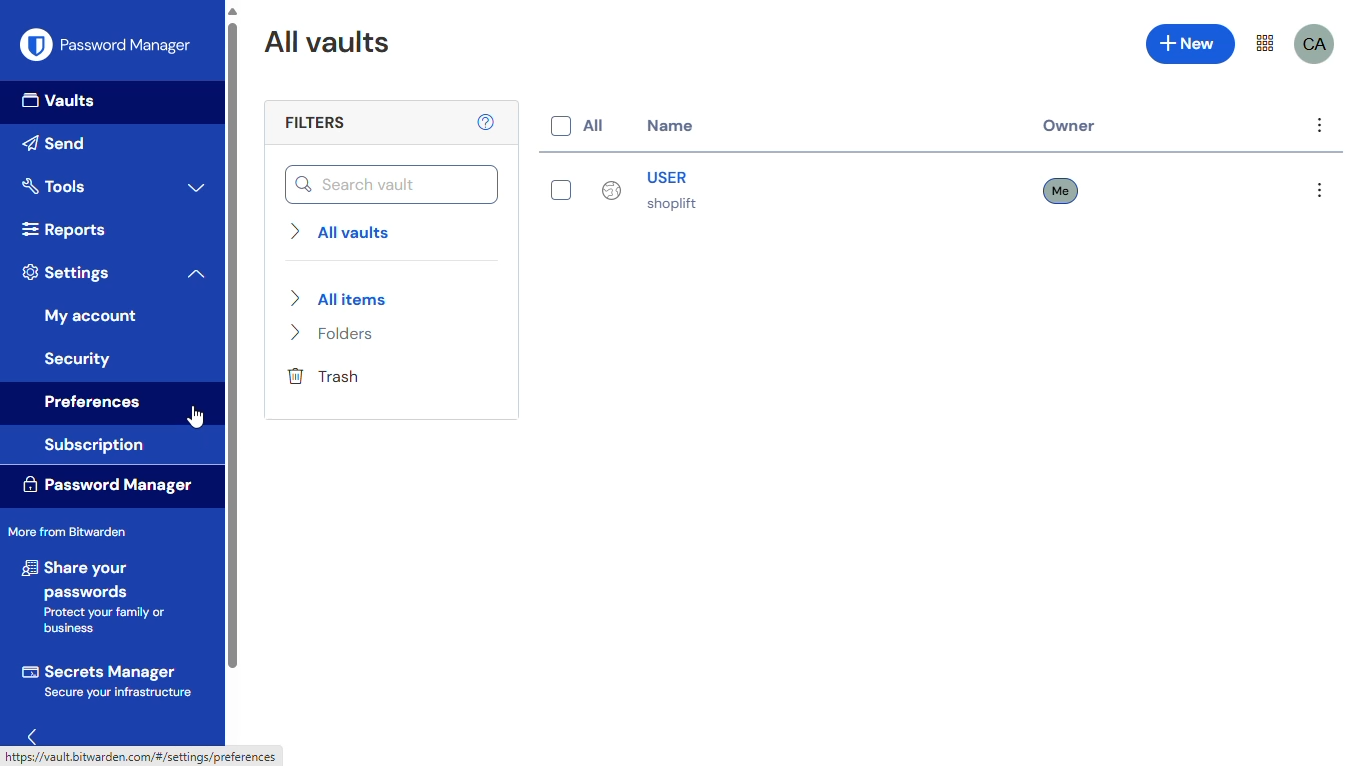 The height and width of the screenshot is (766, 1366). I want to click on all vaults, so click(342, 231).